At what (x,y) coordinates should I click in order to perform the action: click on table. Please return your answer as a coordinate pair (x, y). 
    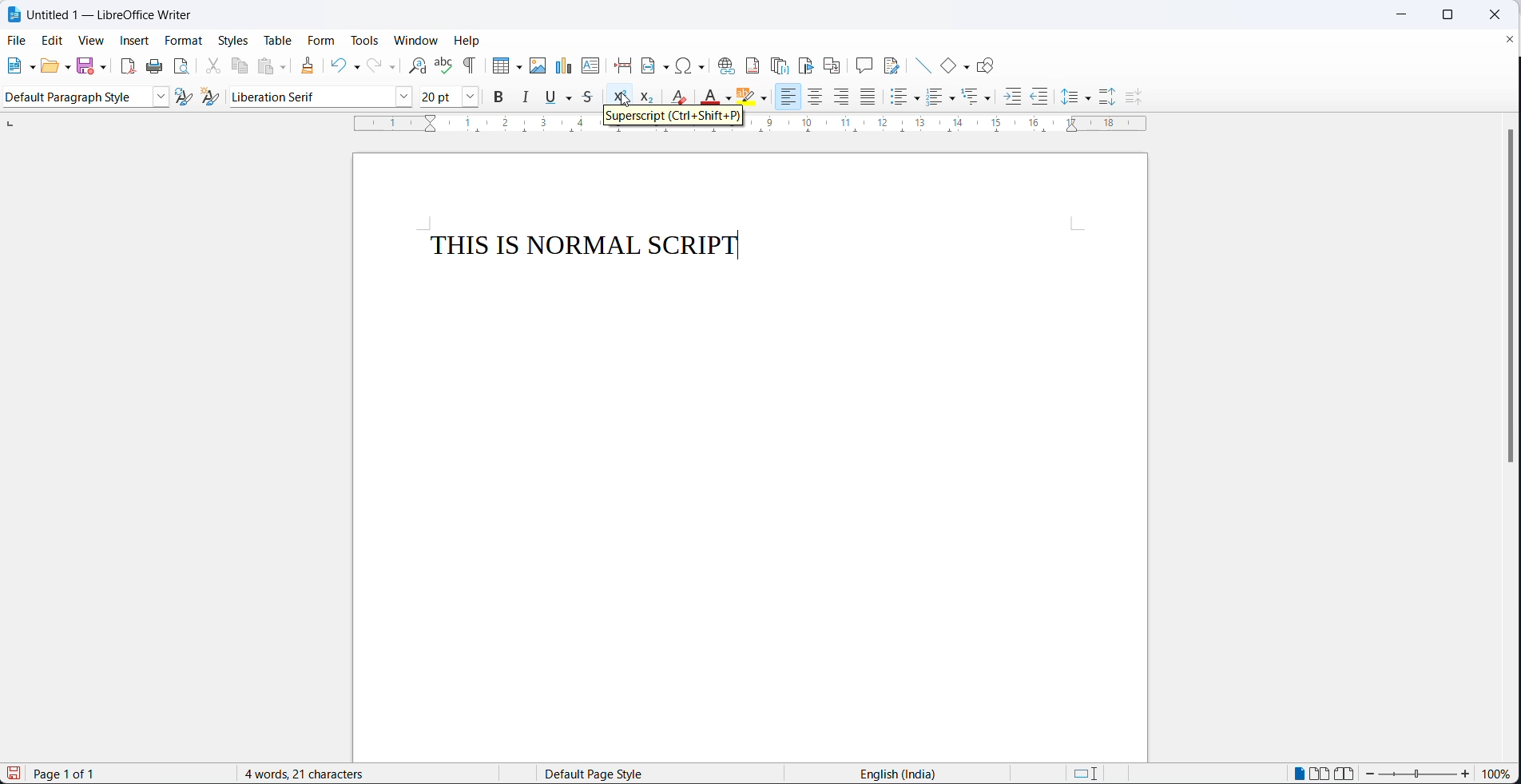
    Looking at the image, I should click on (279, 42).